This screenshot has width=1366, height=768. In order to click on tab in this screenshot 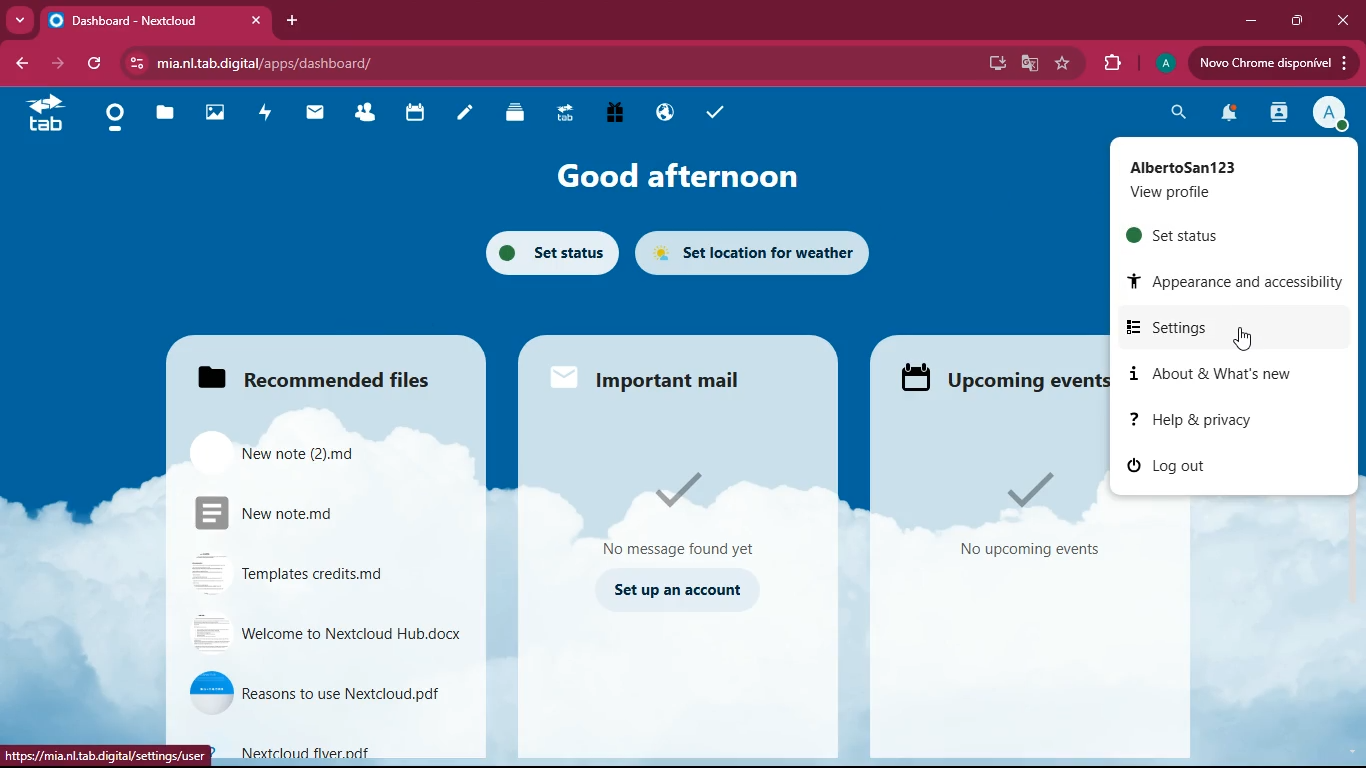, I will do `click(50, 117)`.